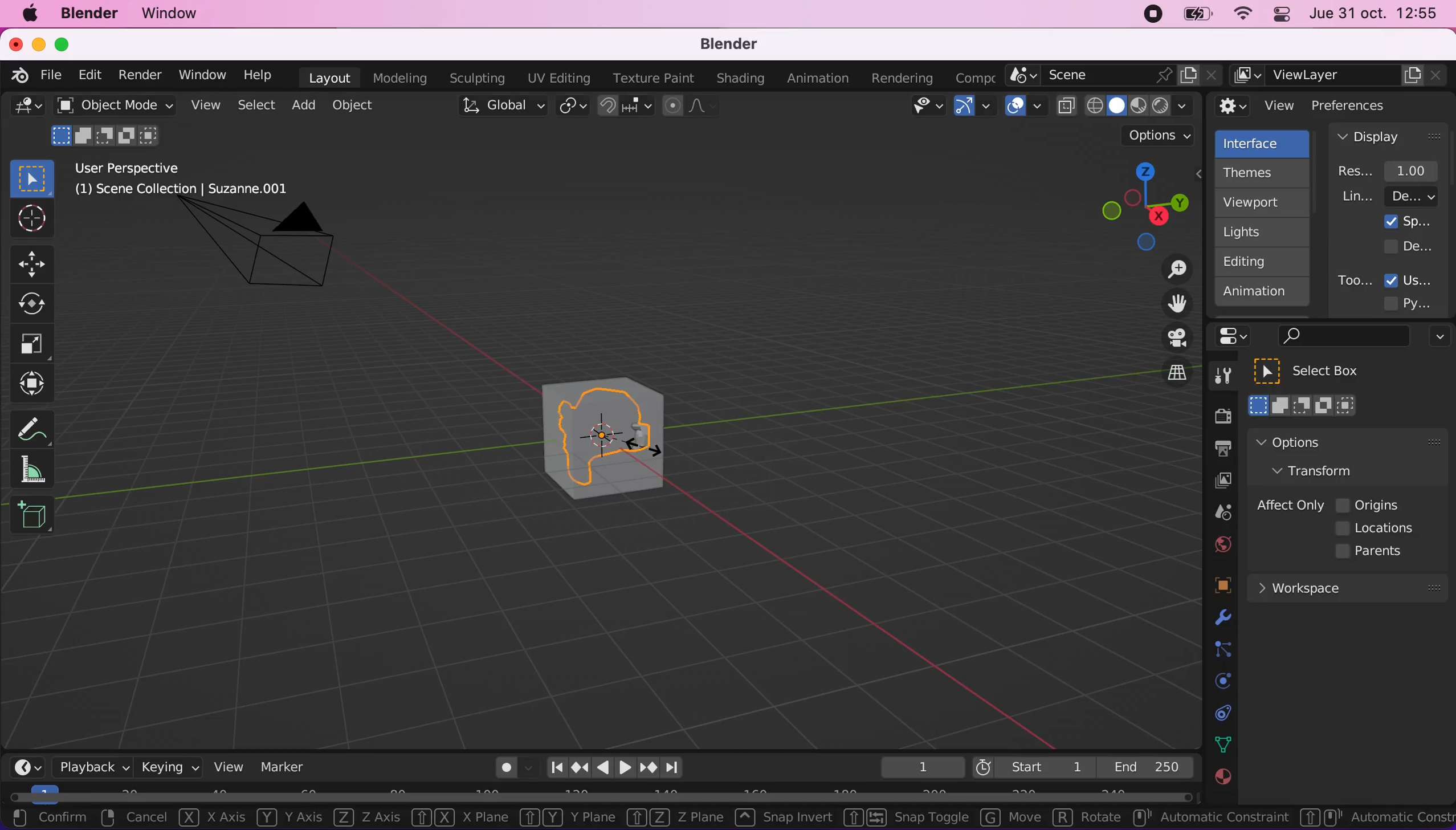  Describe the element at coordinates (1303, 405) in the screenshot. I see `select box mode` at that location.